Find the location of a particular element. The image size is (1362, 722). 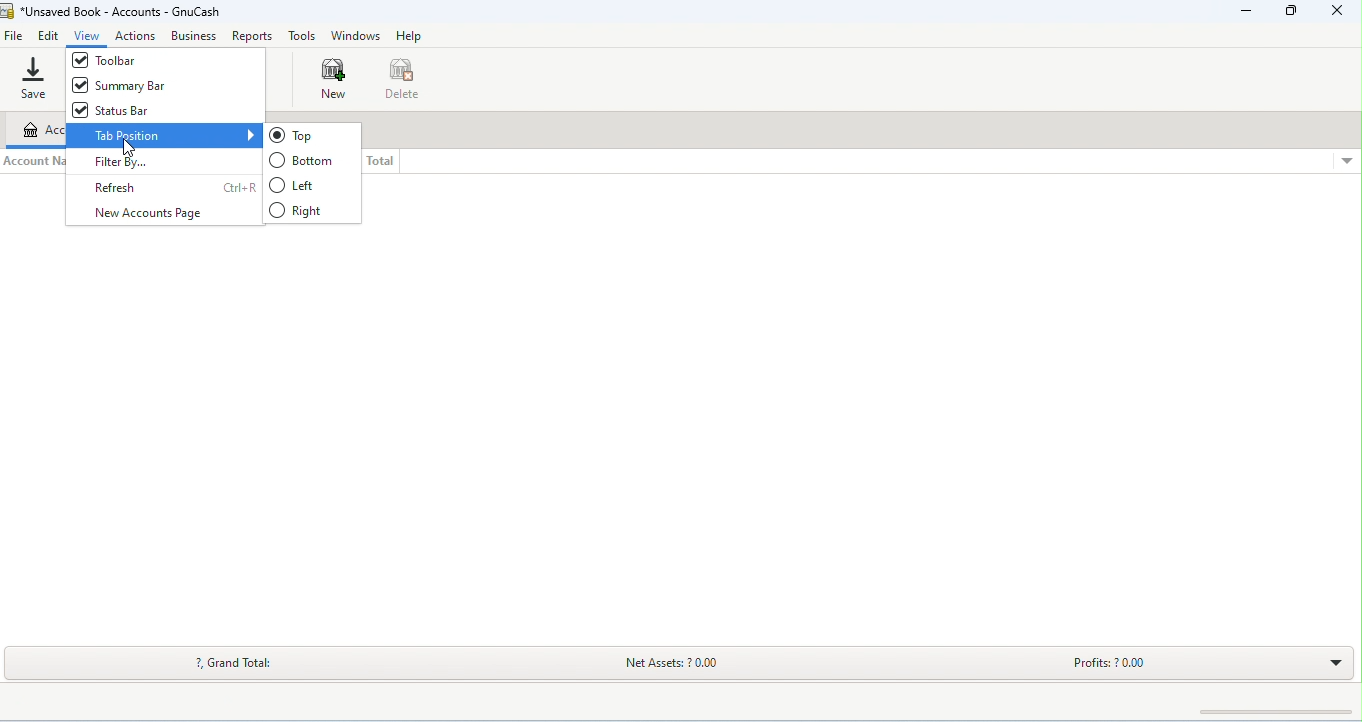

reports is located at coordinates (253, 35).